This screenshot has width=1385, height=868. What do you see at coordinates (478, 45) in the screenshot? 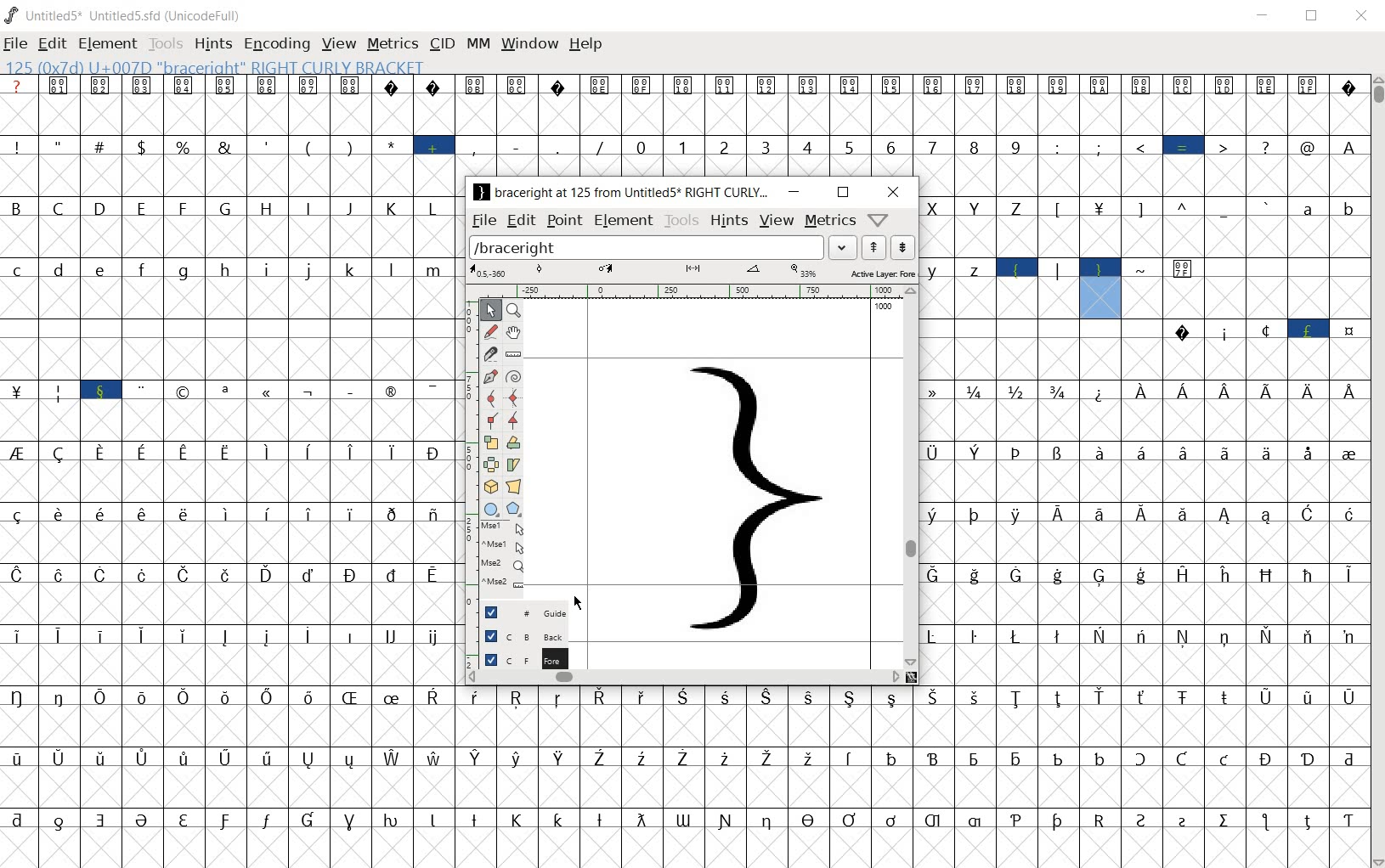
I see `MM` at bounding box center [478, 45].